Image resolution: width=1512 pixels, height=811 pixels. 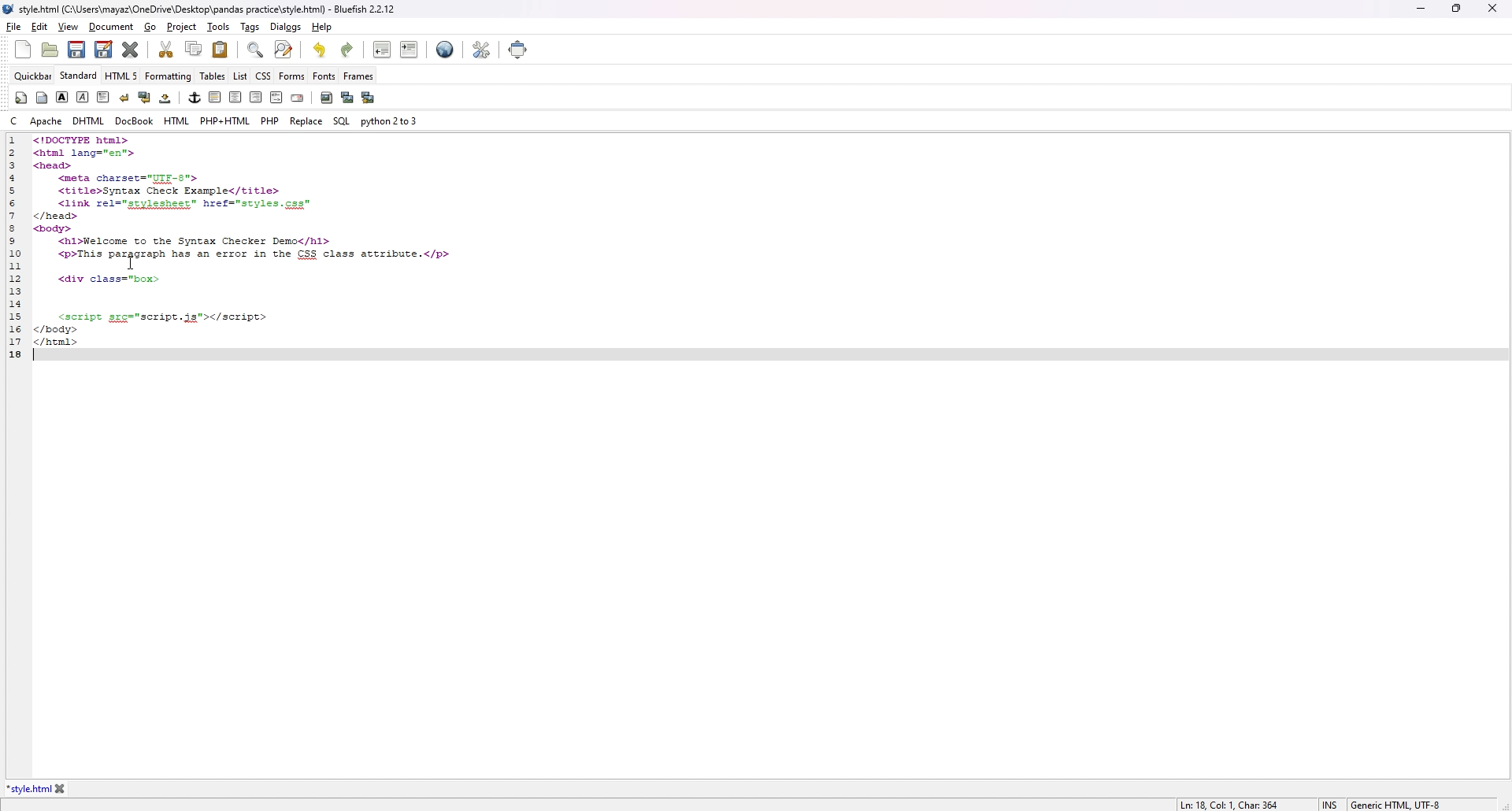 I want to click on dhtml, so click(x=88, y=121).